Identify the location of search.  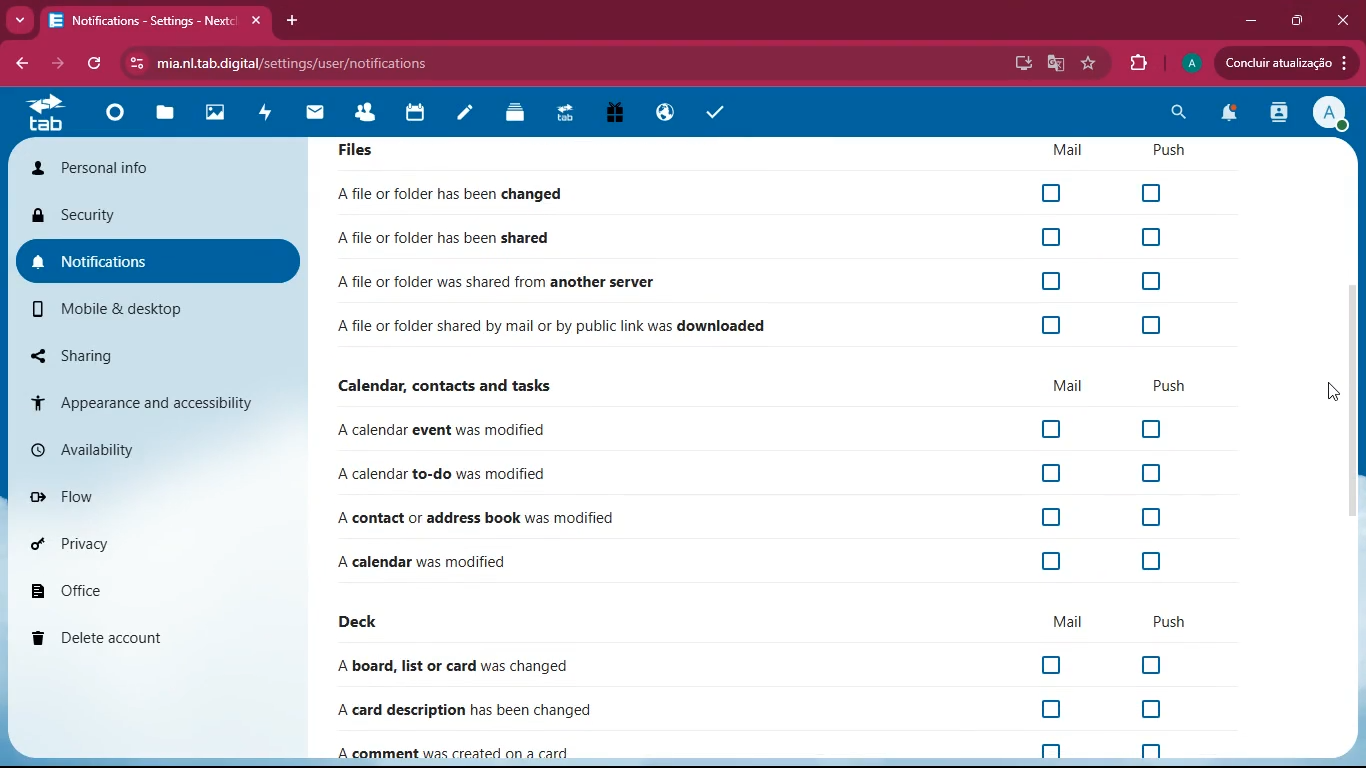
(1178, 113).